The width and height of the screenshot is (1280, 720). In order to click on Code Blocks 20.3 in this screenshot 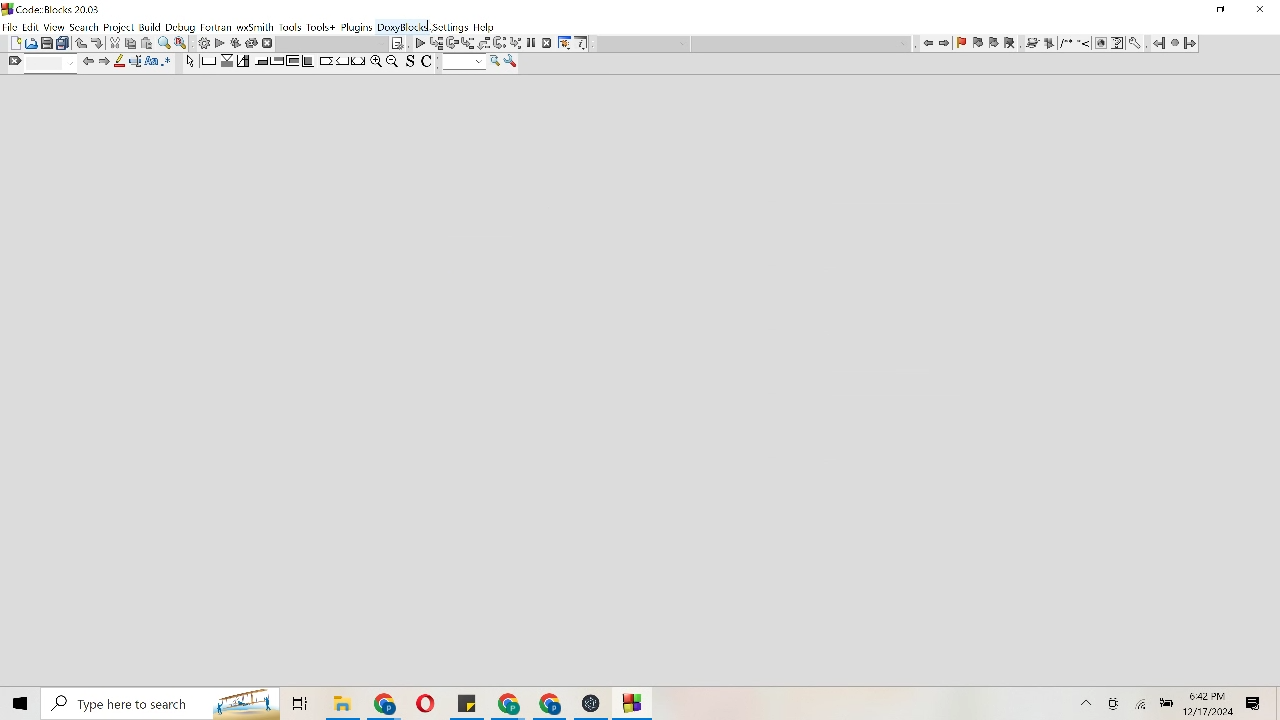, I will do `click(50, 8)`.